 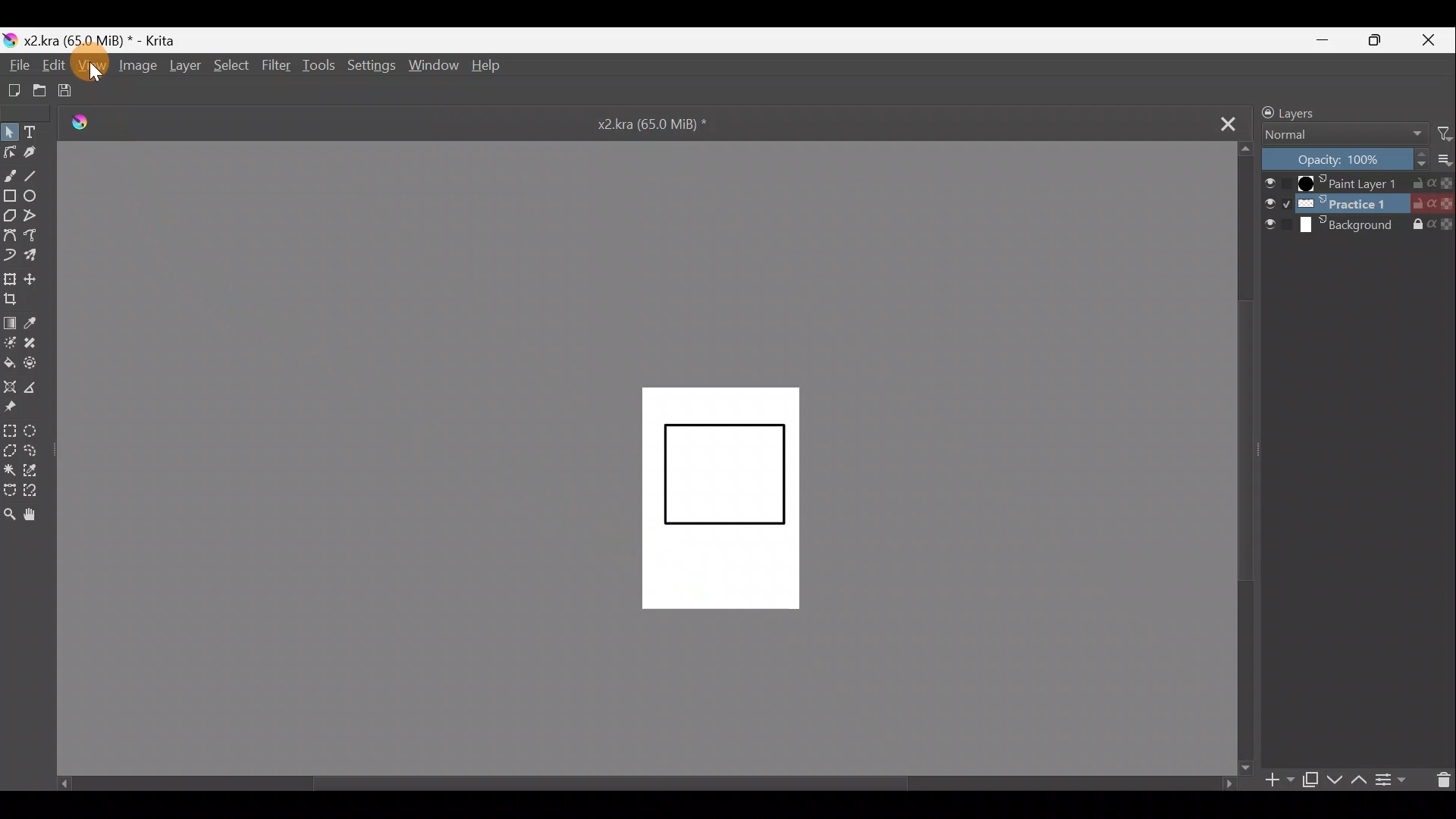 I want to click on Scroll bar, so click(x=1240, y=462).